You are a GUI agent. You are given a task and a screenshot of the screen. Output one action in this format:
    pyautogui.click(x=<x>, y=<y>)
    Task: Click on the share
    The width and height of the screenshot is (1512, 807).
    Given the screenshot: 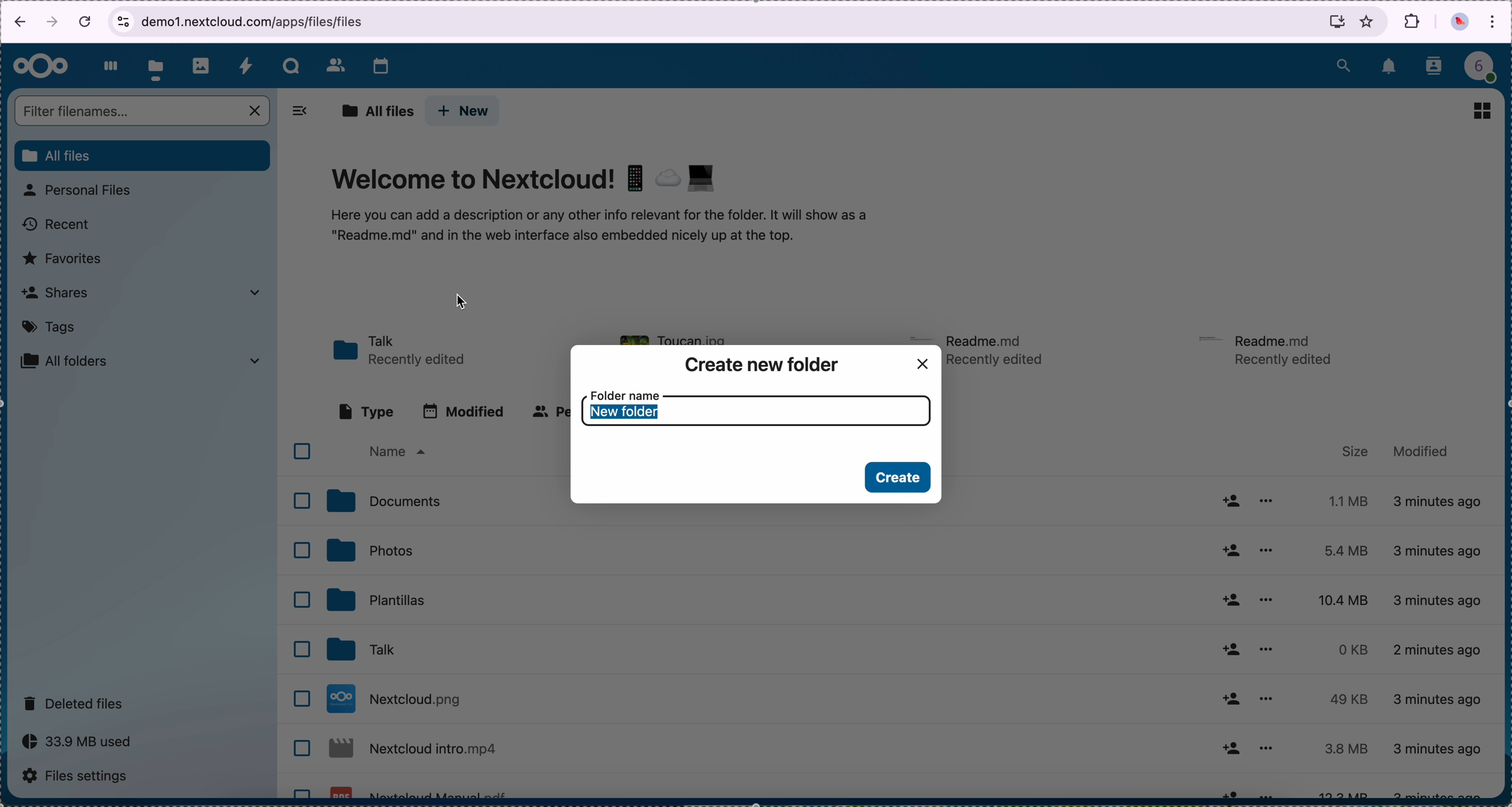 What is the action you would take?
    pyautogui.click(x=1229, y=650)
    